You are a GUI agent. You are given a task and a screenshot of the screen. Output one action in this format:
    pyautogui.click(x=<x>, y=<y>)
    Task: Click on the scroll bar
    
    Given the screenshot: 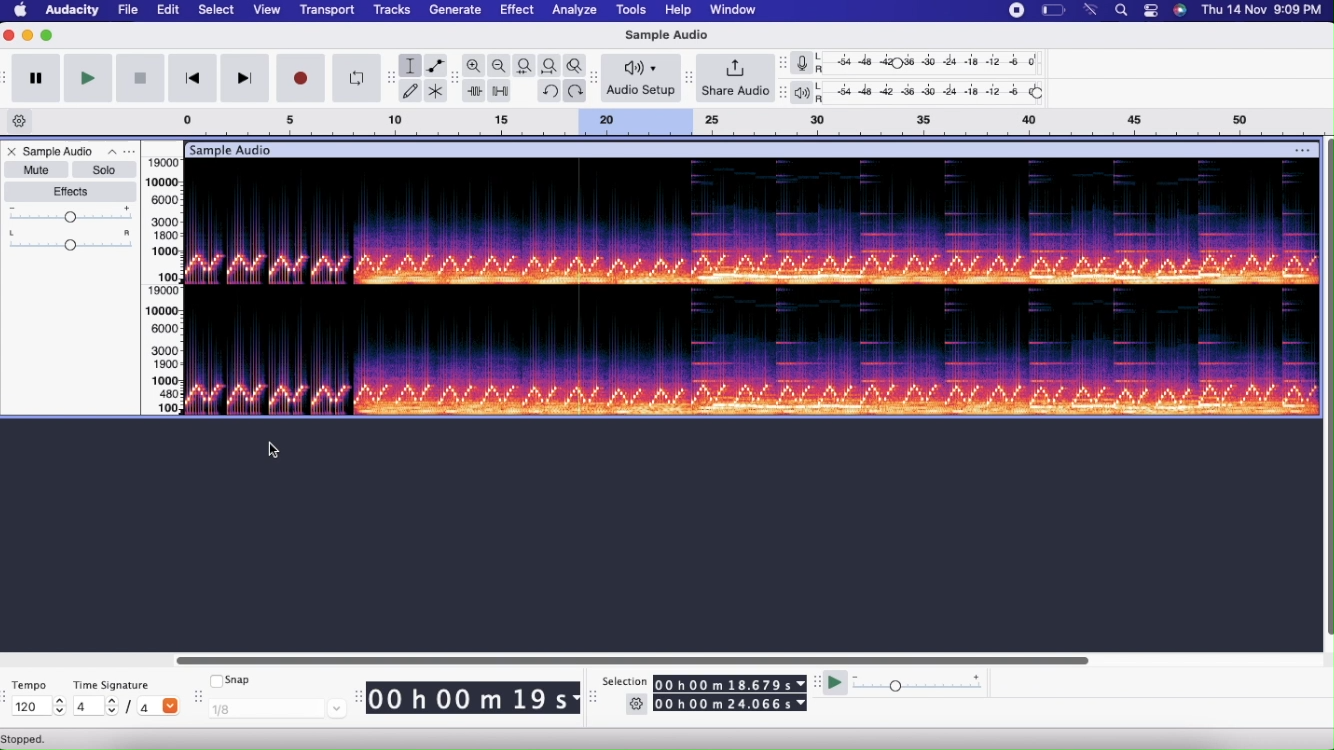 What is the action you would take?
    pyautogui.click(x=1326, y=388)
    